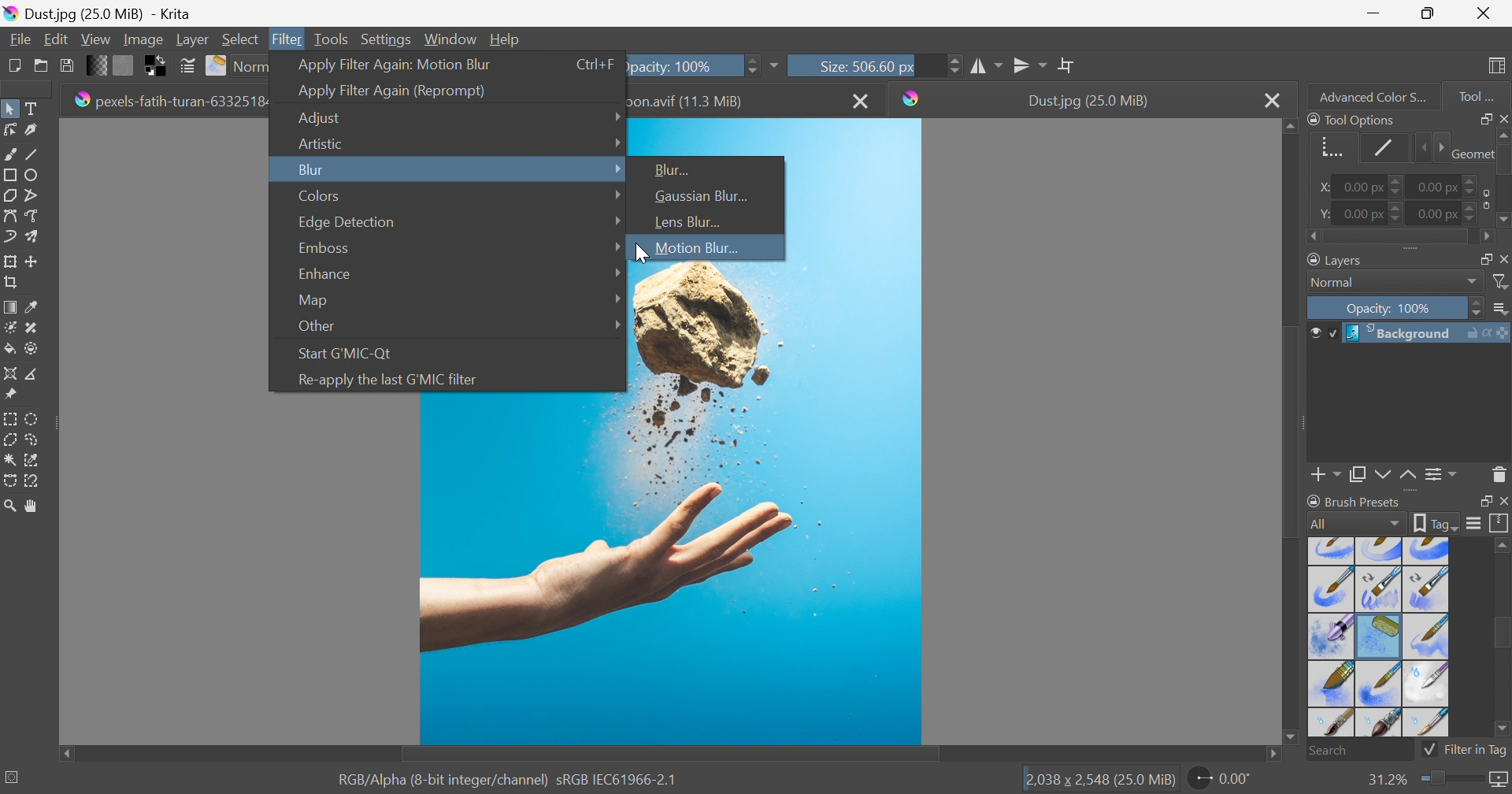 The width and height of the screenshot is (1512, 794). Describe the element at coordinates (1031, 63) in the screenshot. I see `Horizontal mirror tool` at that location.